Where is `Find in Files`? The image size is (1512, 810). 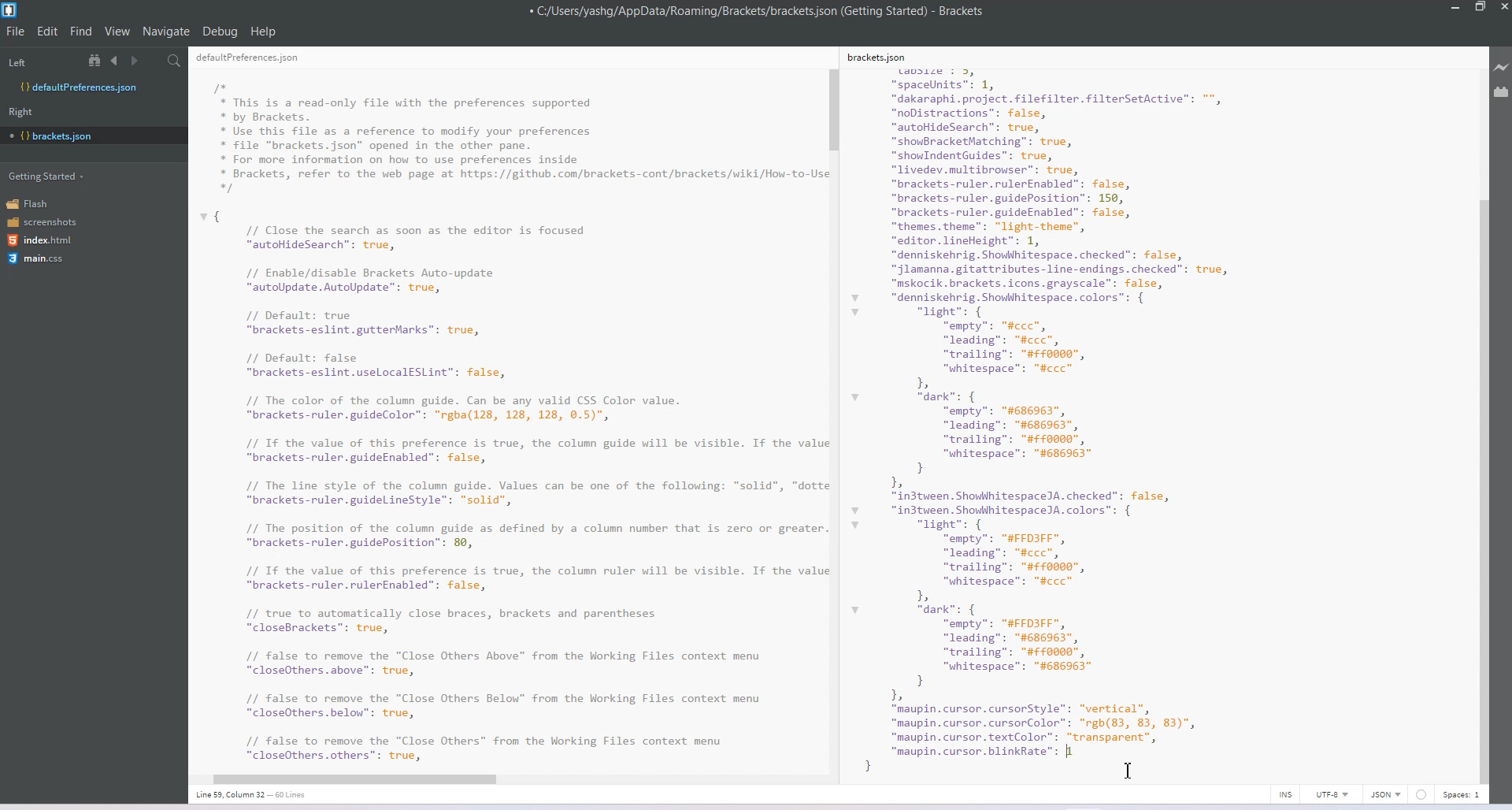
Find in Files is located at coordinates (176, 61).